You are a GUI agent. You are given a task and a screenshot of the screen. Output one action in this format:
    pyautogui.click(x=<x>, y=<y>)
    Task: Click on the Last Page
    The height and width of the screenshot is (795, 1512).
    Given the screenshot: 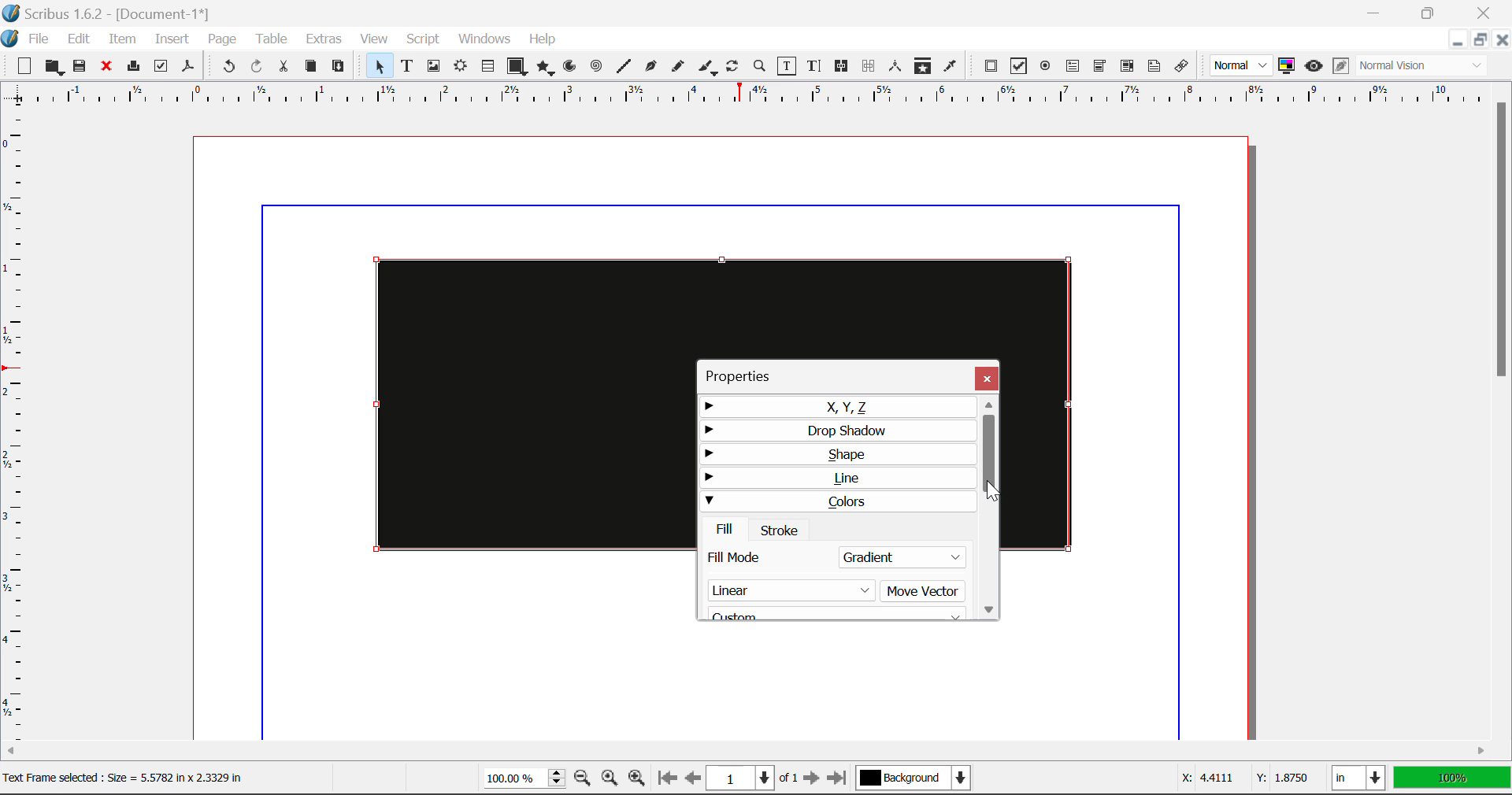 What is the action you would take?
    pyautogui.click(x=840, y=781)
    